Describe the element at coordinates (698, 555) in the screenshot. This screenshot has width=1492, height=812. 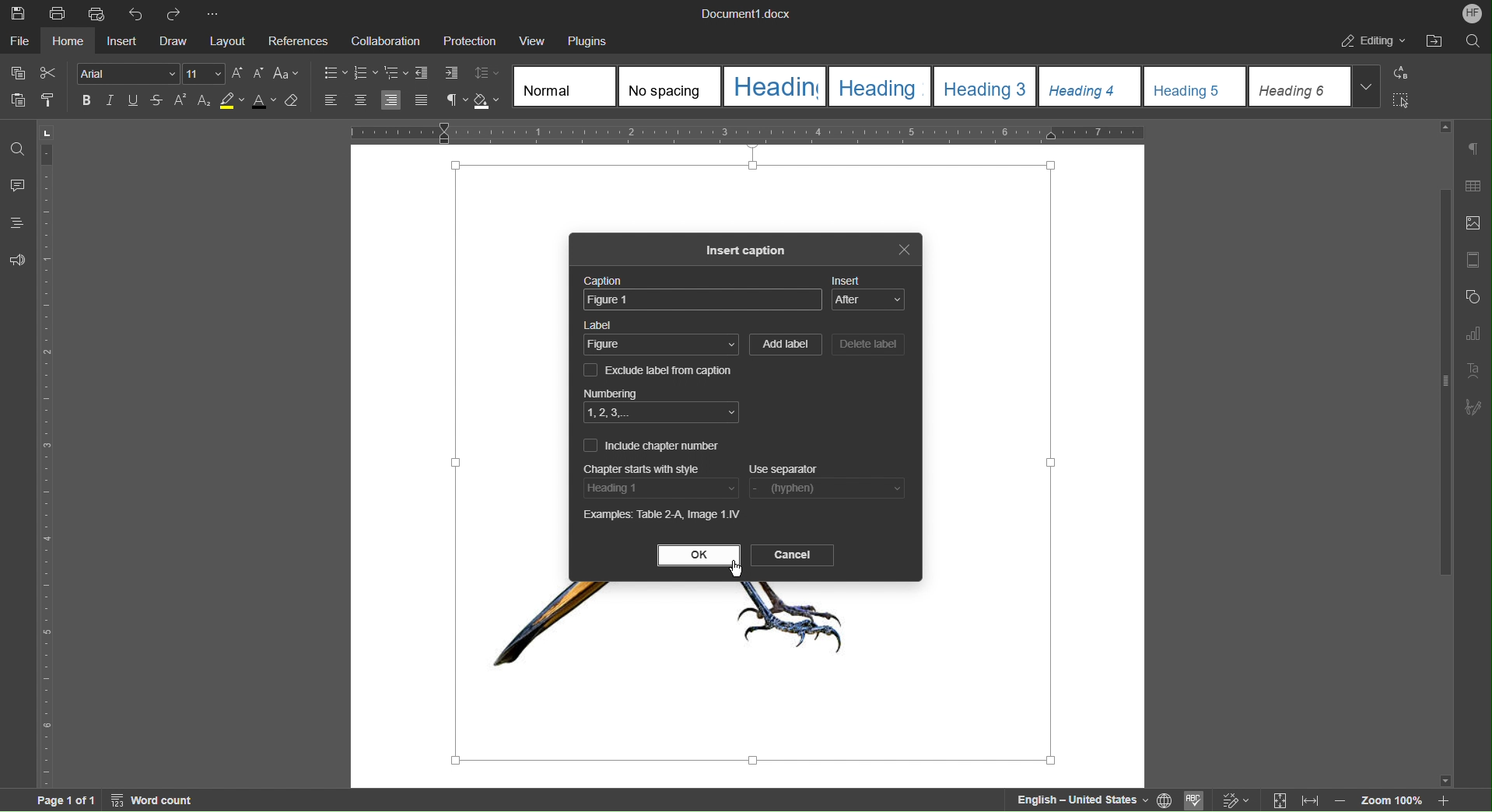
I see `OK` at that location.